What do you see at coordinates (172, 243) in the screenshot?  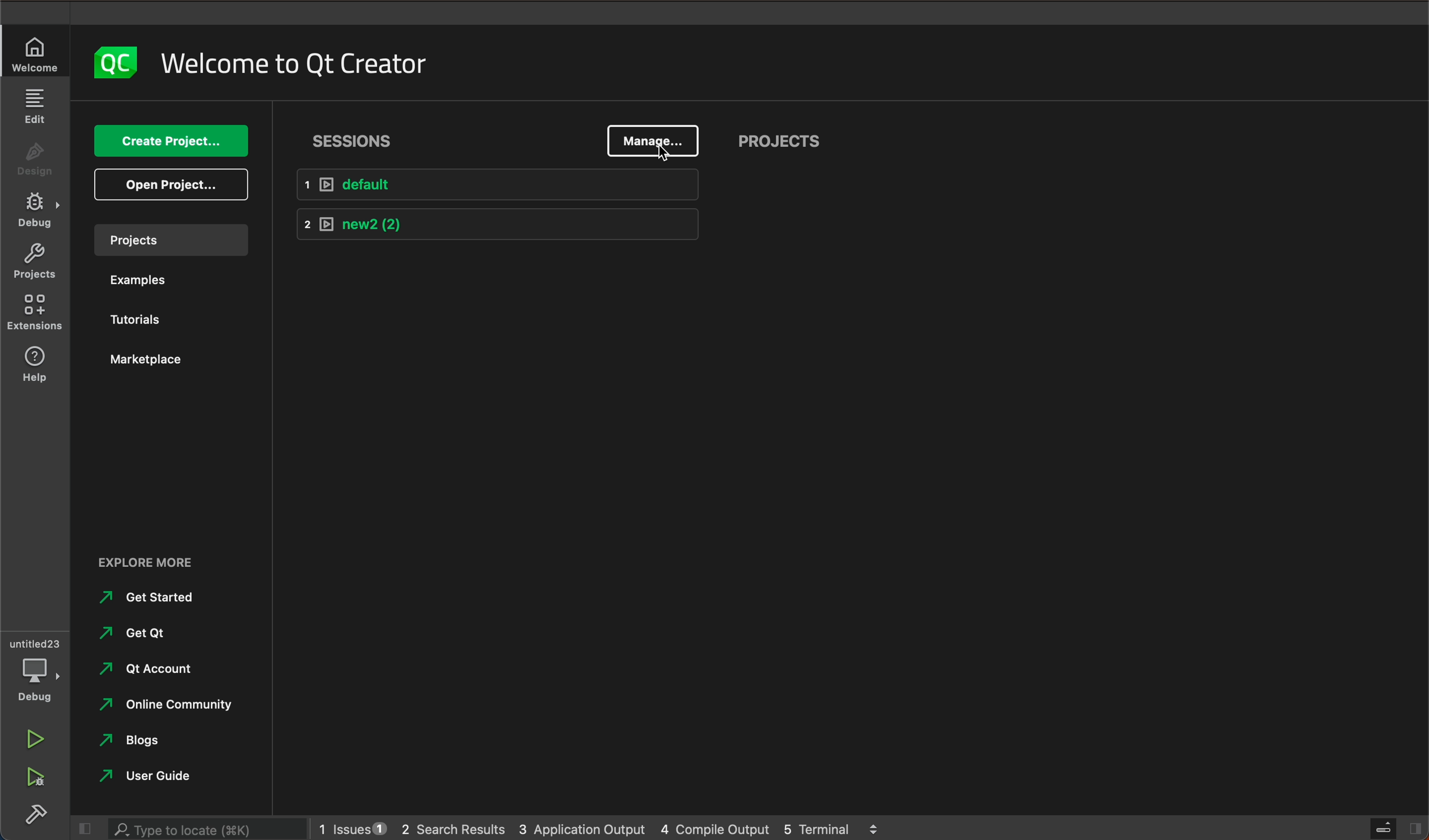 I see `projects` at bounding box center [172, 243].